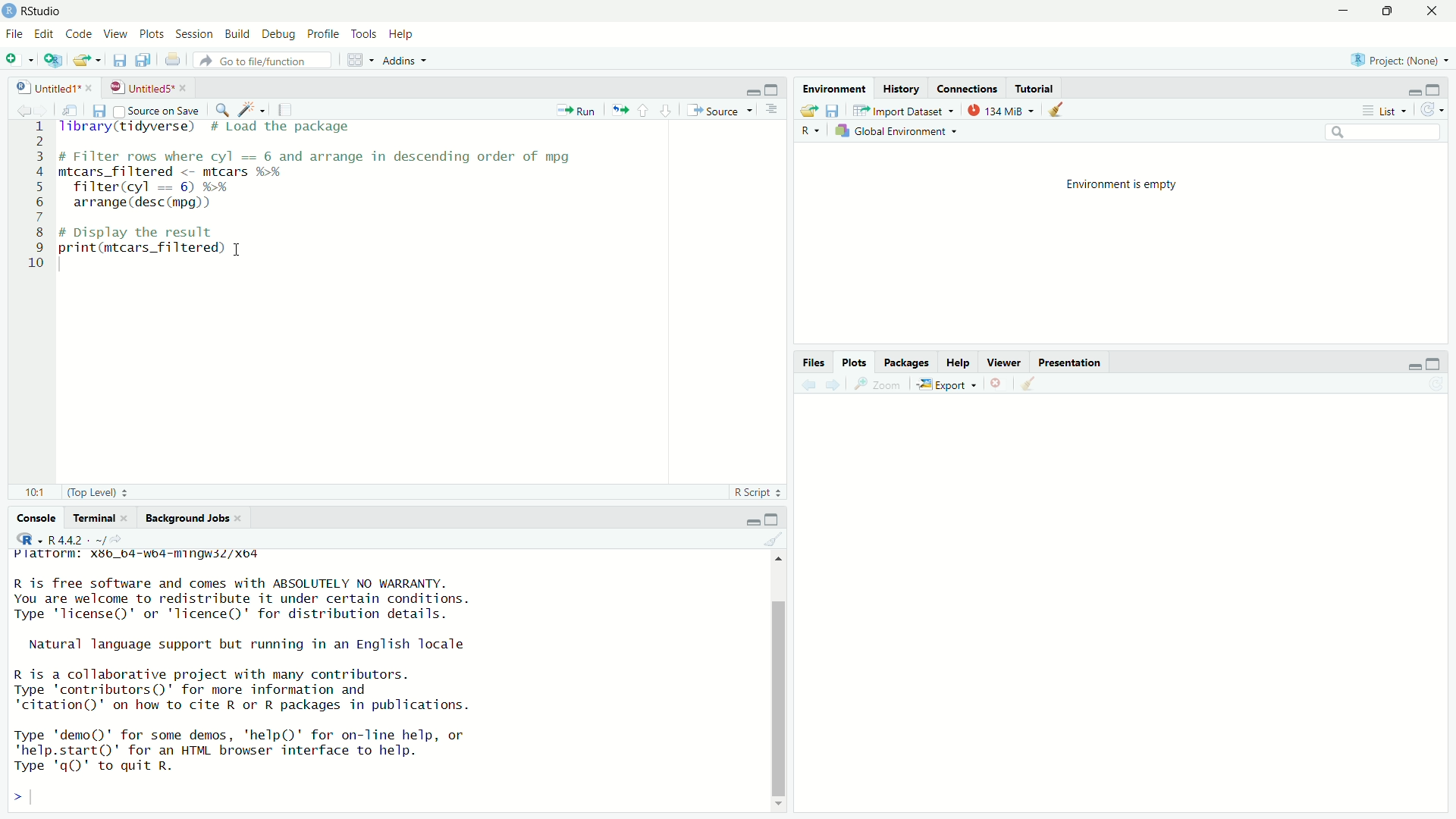 The height and width of the screenshot is (819, 1456). Describe the element at coordinates (1345, 10) in the screenshot. I see `minimize` at that location.